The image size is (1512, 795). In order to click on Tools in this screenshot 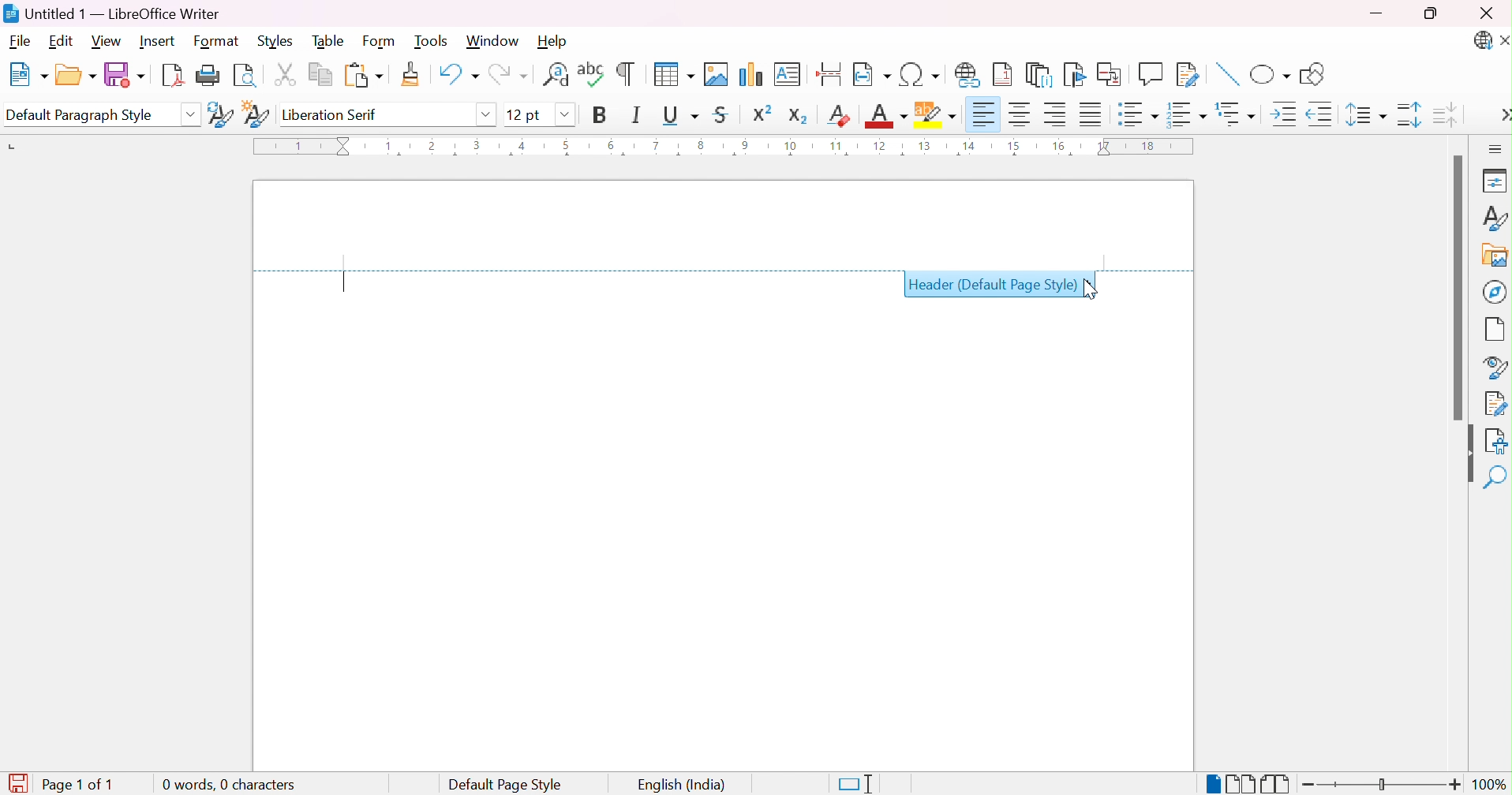, I will do `click(431, 41)`.